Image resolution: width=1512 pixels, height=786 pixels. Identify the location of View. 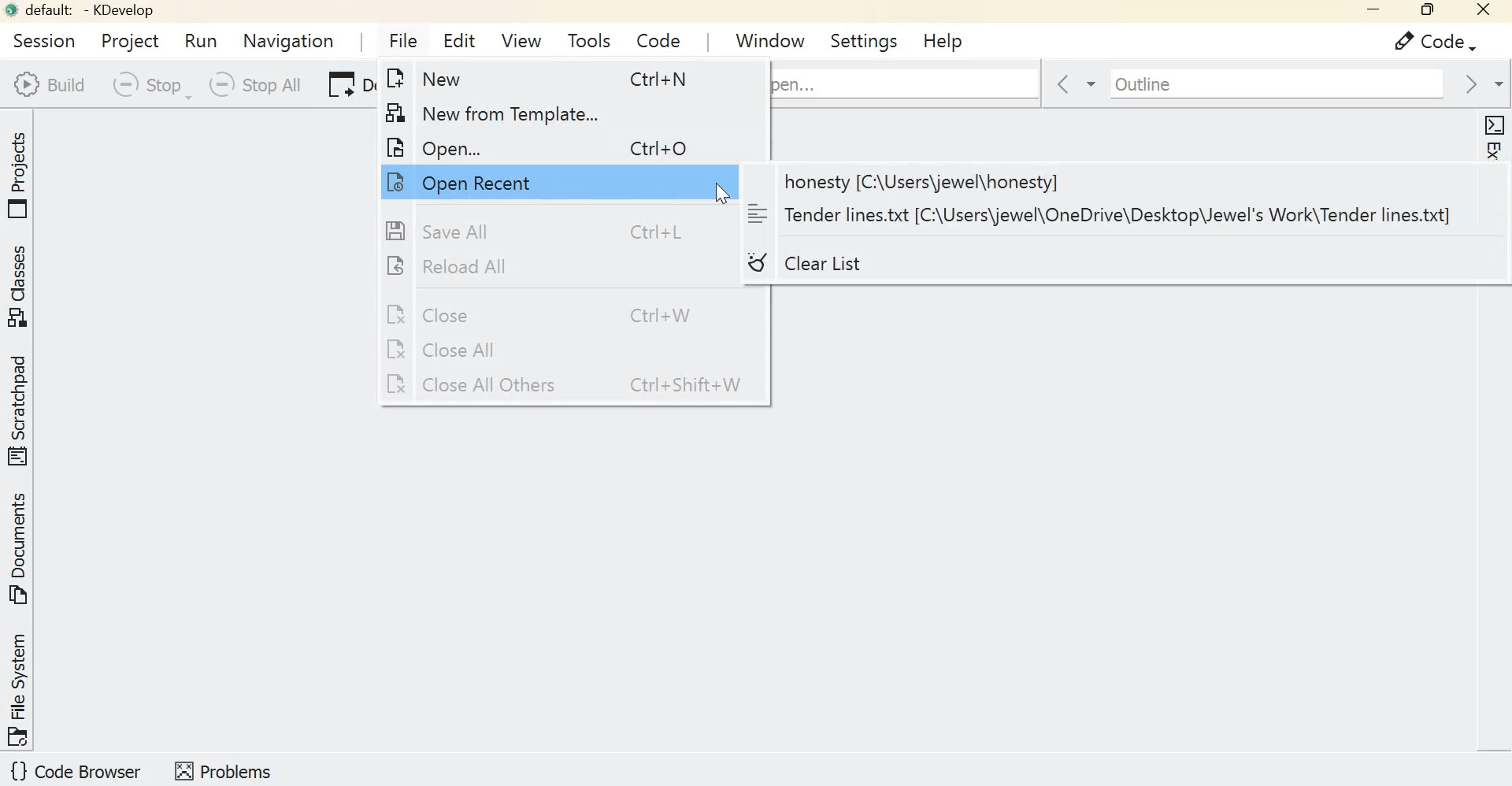
(521, 39).